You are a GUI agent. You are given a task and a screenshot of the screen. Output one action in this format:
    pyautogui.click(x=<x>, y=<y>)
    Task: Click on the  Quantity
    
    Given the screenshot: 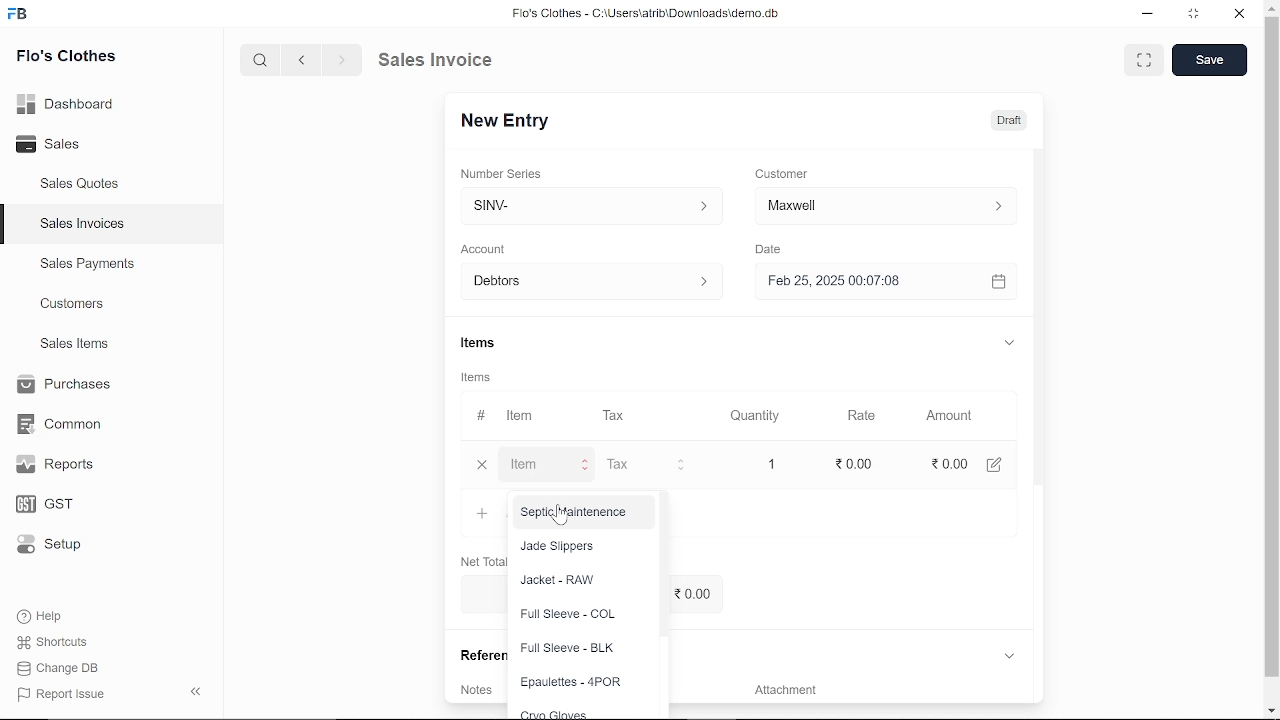 What is the action you would take?
    pyautogui.click(x=760, y=416)
    